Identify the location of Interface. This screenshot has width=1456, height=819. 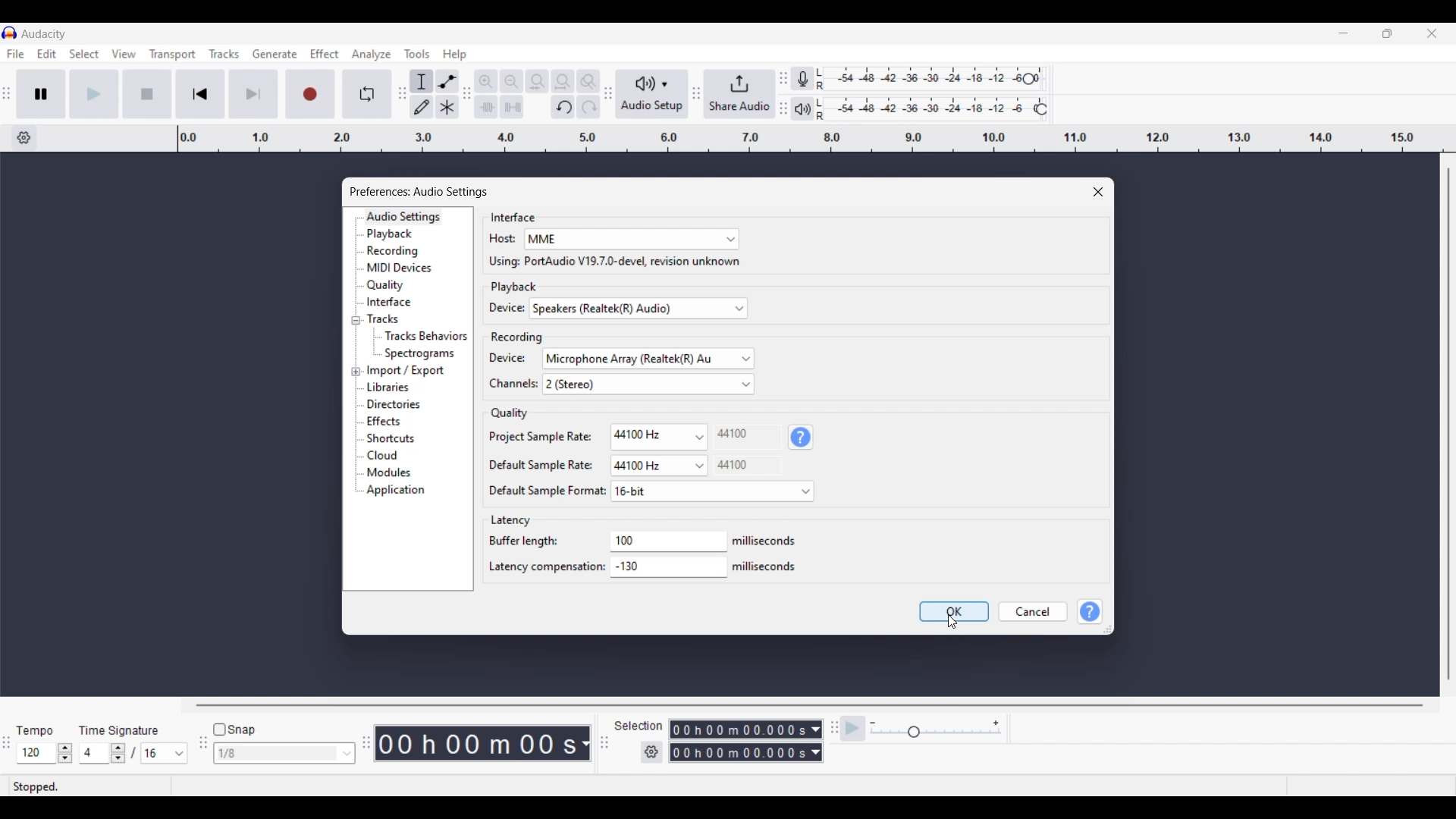
(404, 301).